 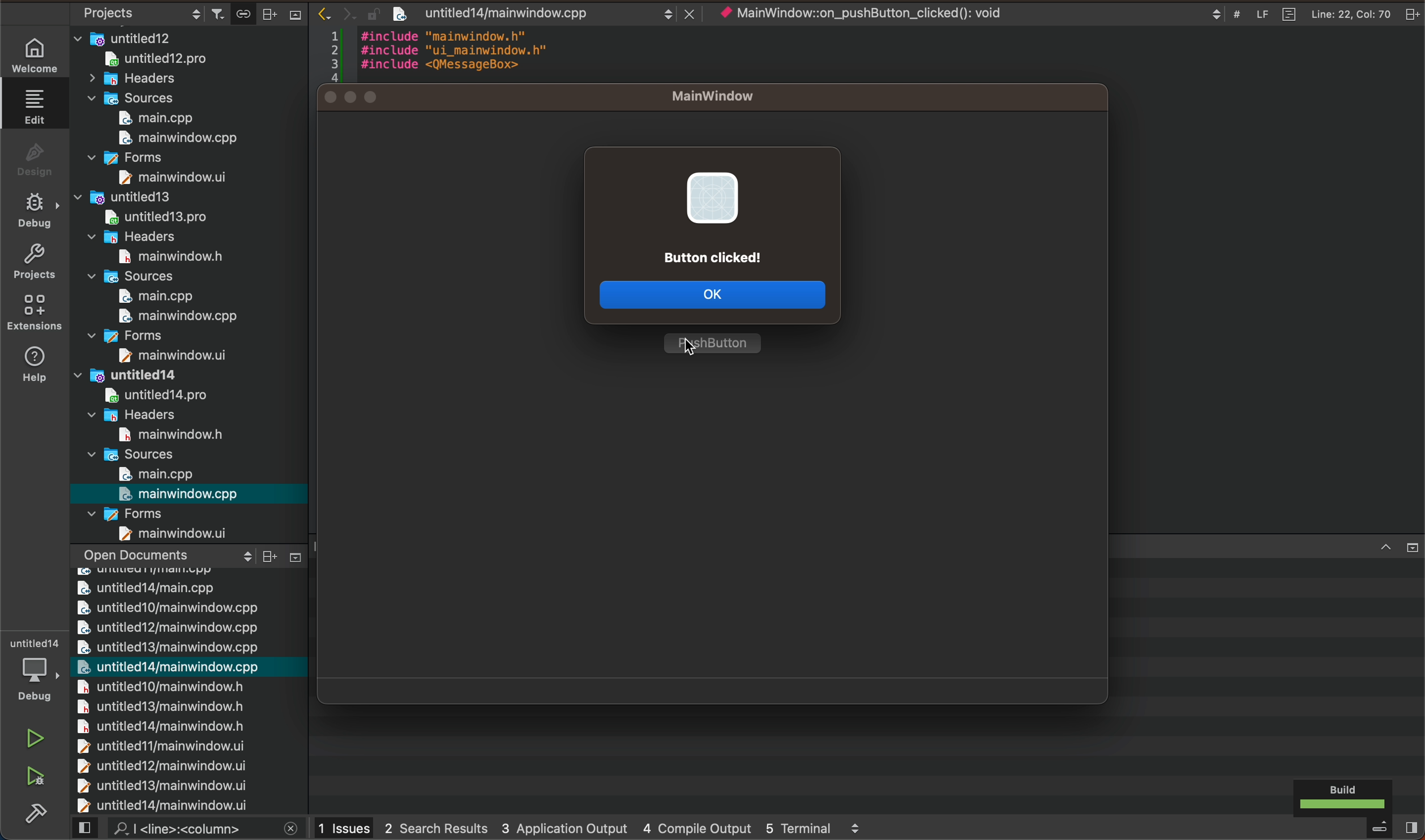 What do you see at coordinates (32, 156) in the screenshot?
I see `DESIGN` at bounding box center [32, 156].